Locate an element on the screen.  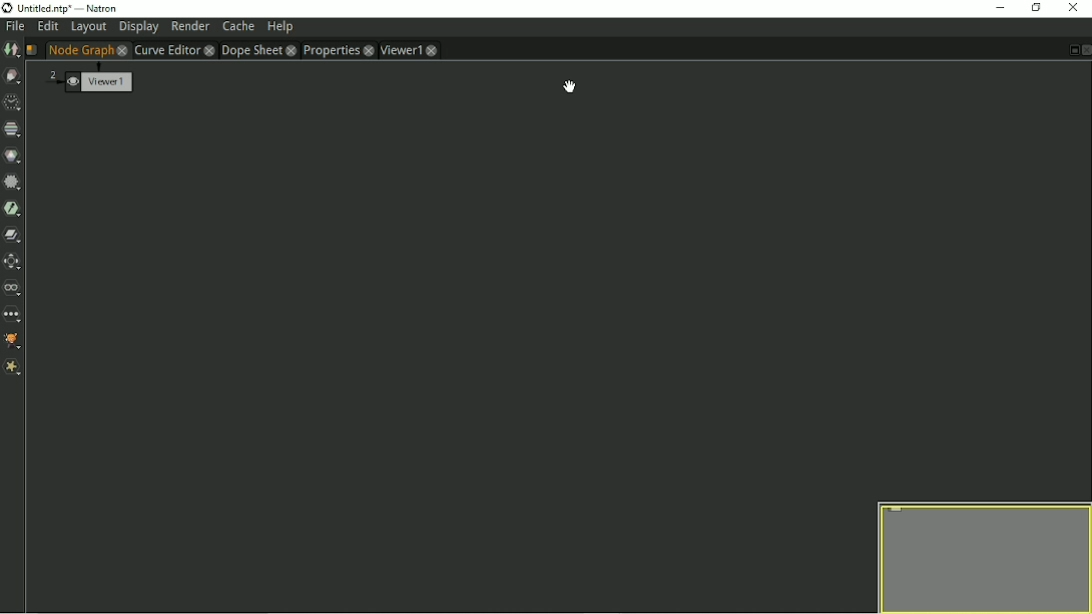
Viewer1 is located at coordinates (400, 50).